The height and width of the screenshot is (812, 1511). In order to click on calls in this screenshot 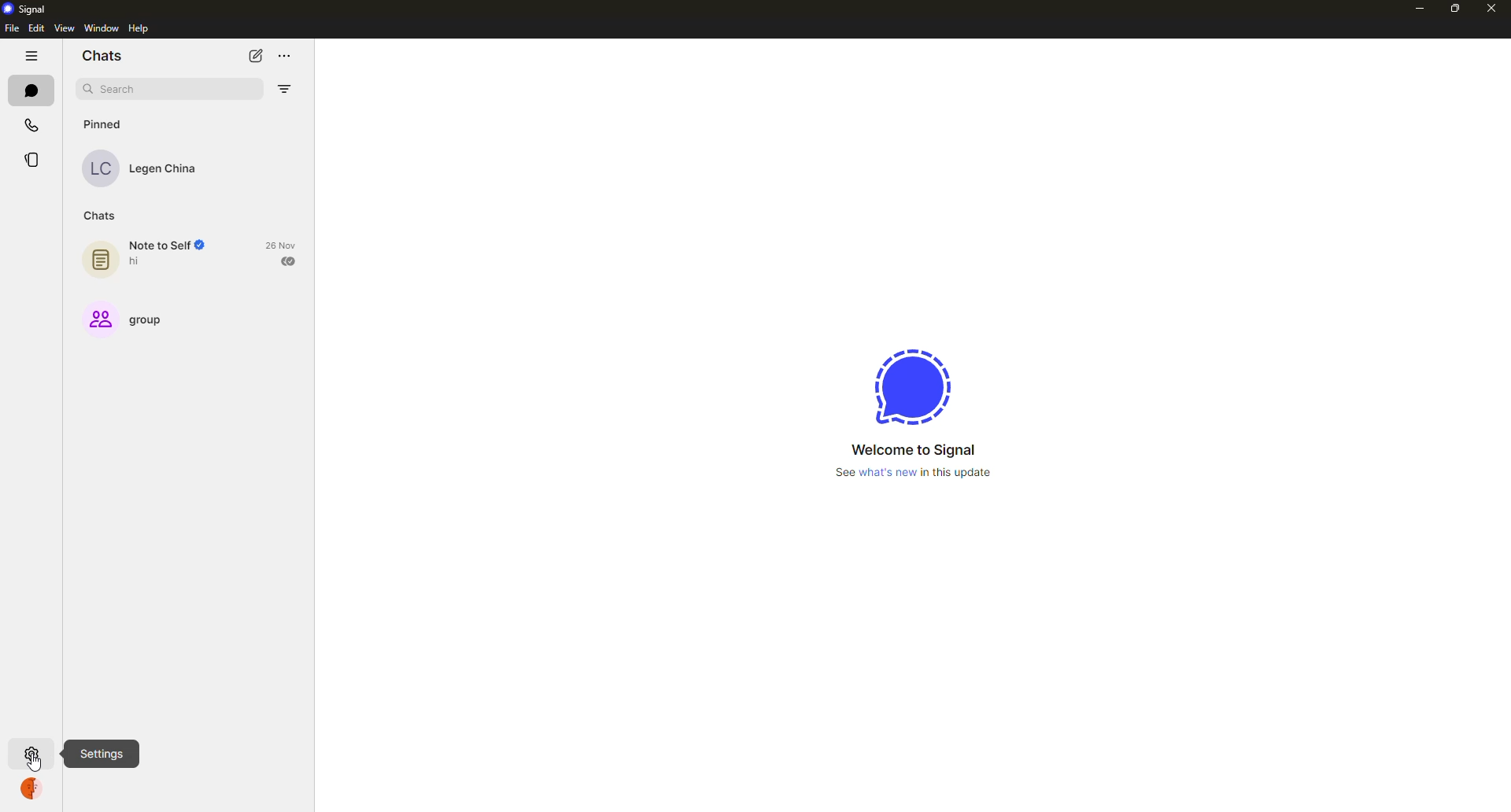, I will do `click(33, 124)`.